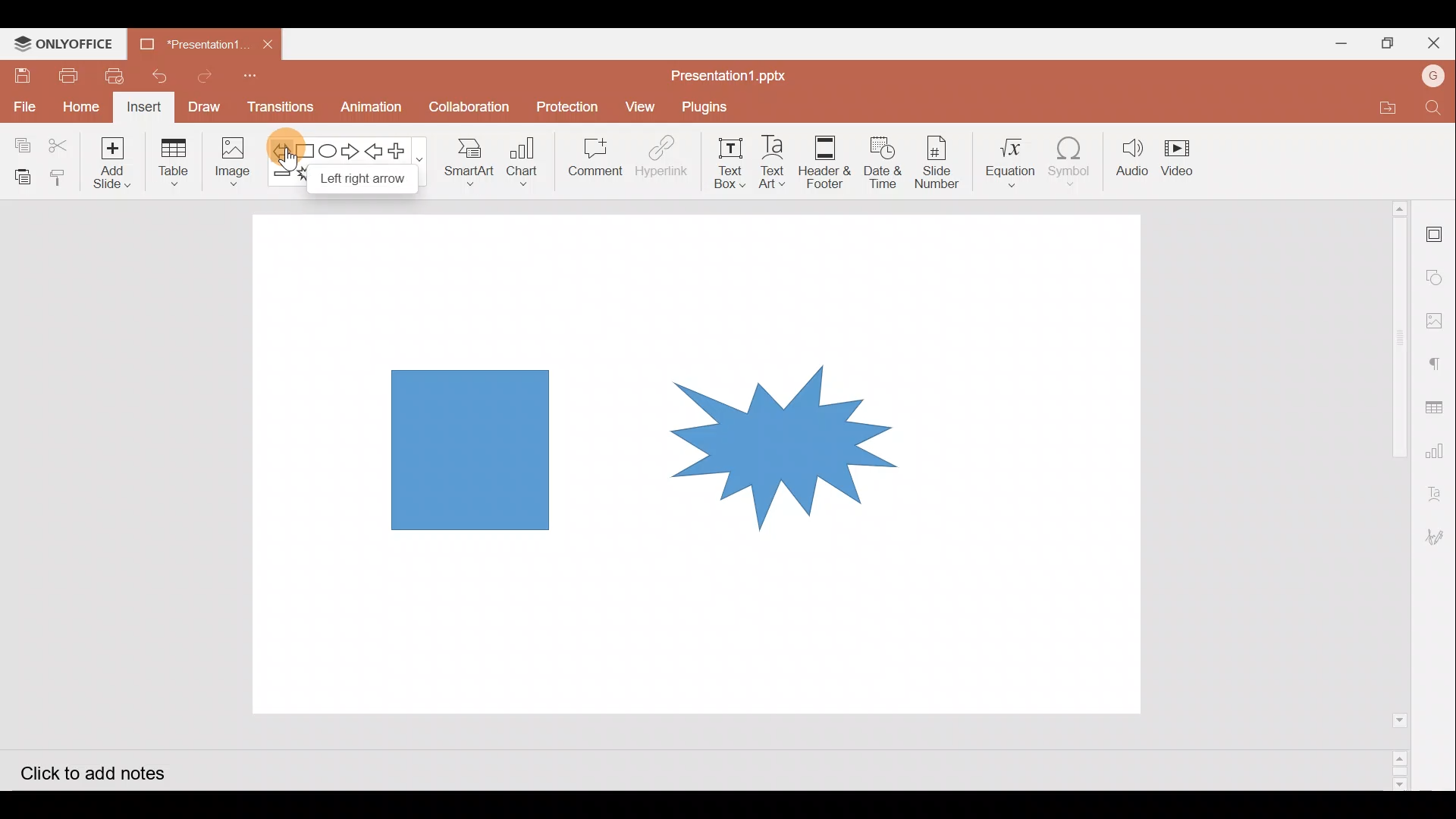 This screenshot has height=819, width=1456. What do you see at coordinates (1435, 229) in the screenshot?
I see `Slide settings` at bounding box center [1435, 229].